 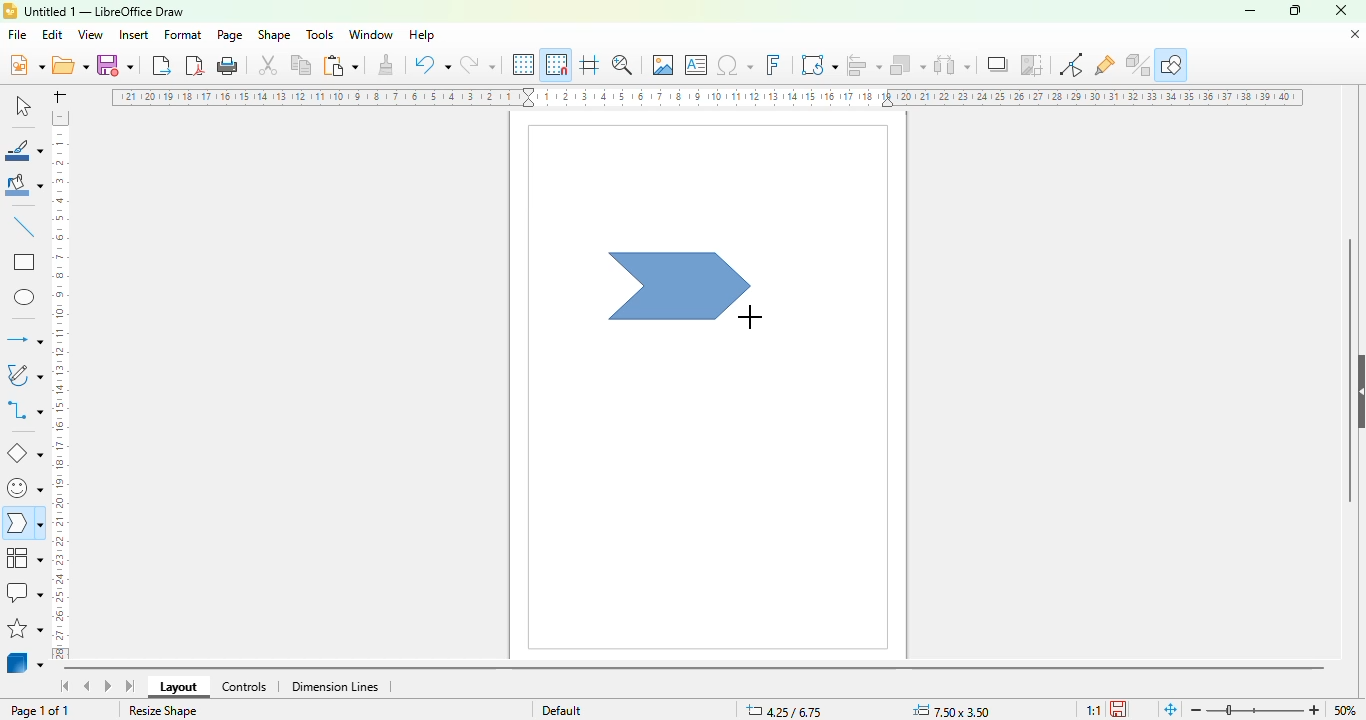 I want to click on insert line, so click(x=25, y=226).